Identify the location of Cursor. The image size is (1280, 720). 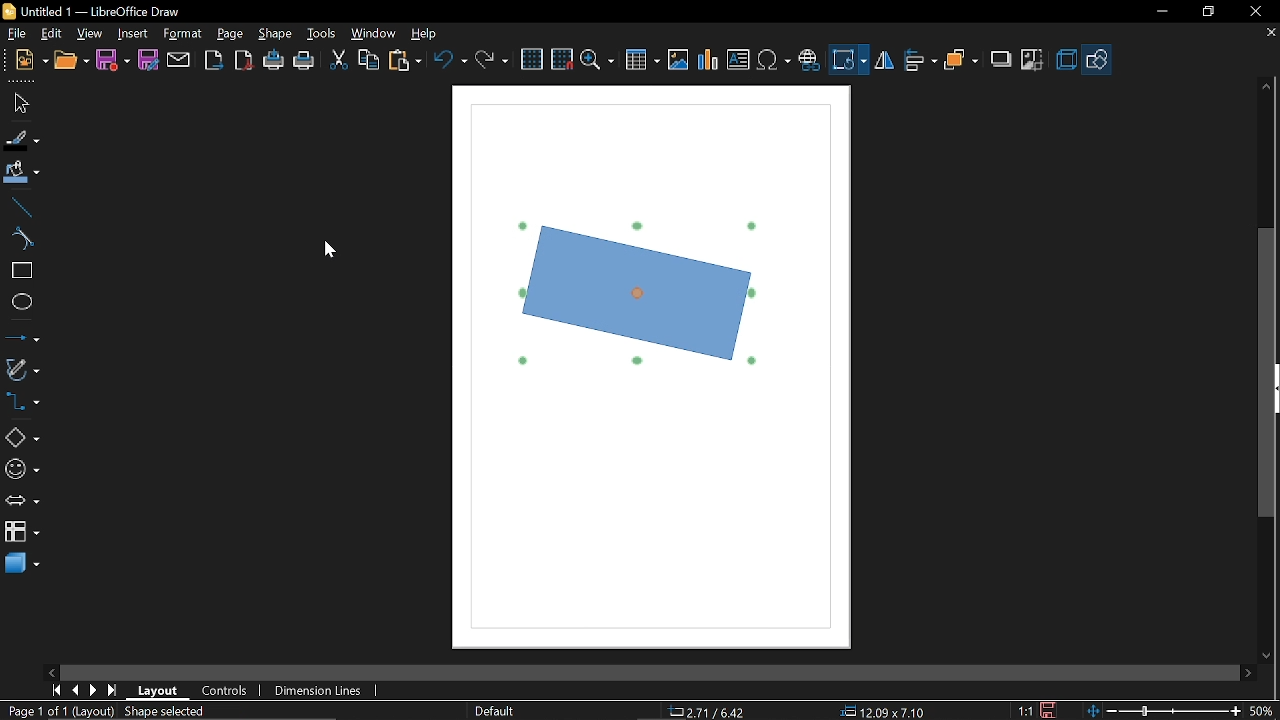
(330, 251).